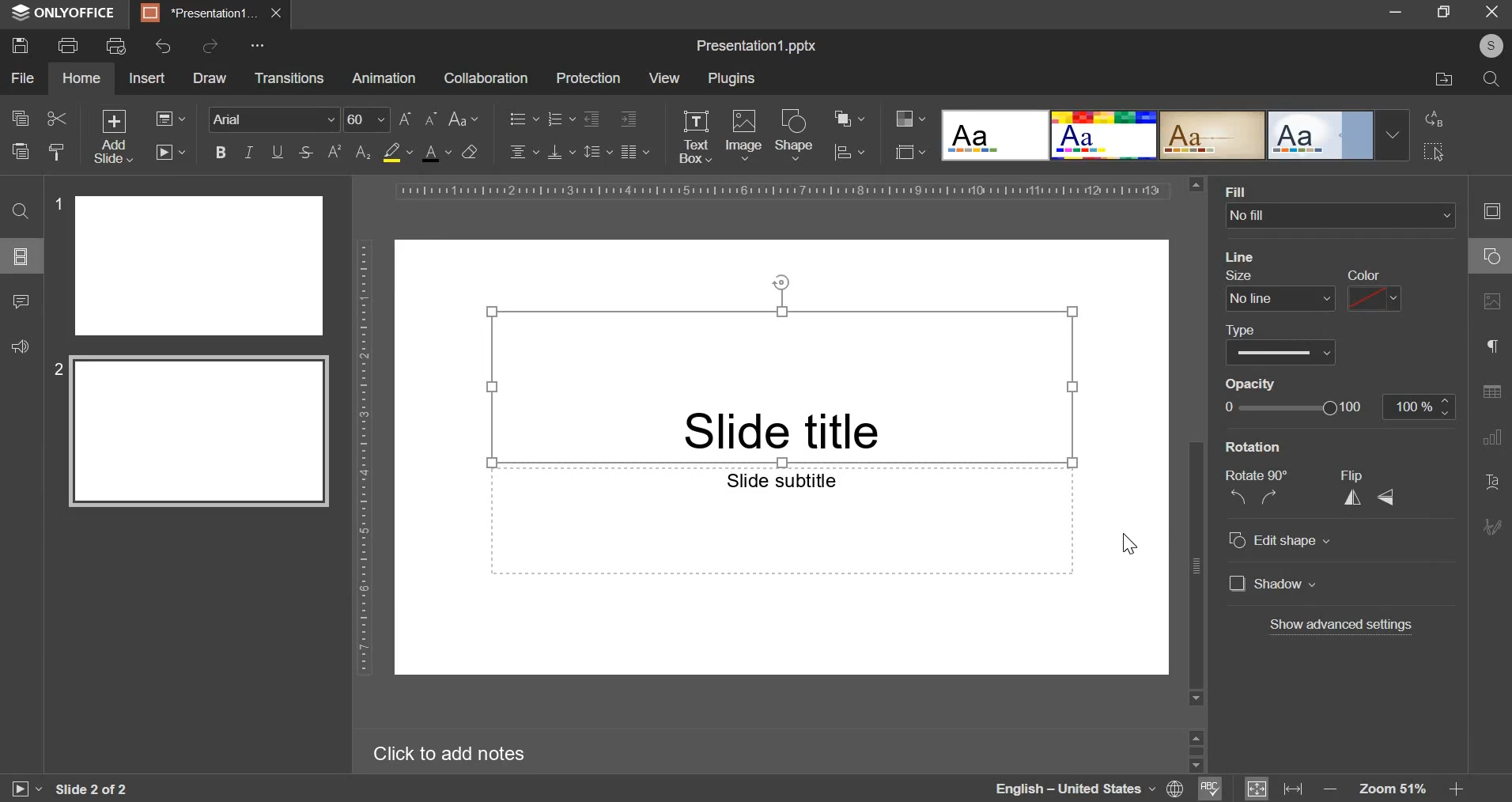  Describe the element at coordinates (146, 77) in the screenshot. I see `insert` at that location.